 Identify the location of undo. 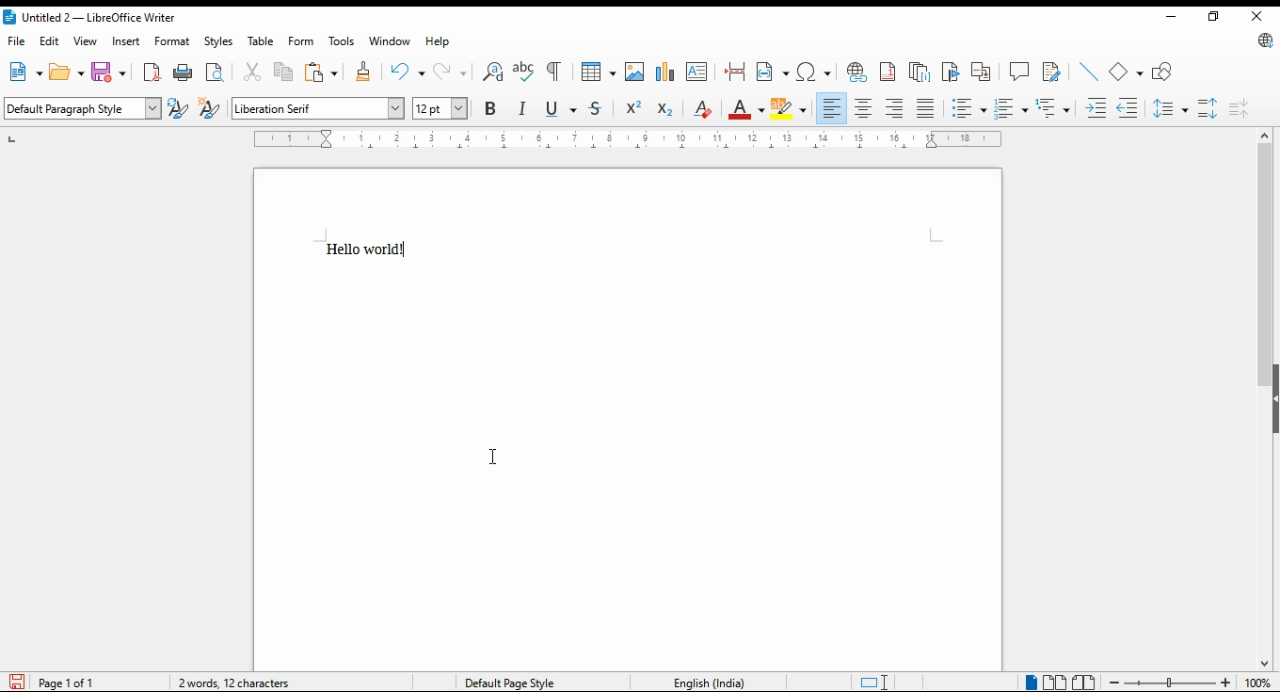
(408, 72).